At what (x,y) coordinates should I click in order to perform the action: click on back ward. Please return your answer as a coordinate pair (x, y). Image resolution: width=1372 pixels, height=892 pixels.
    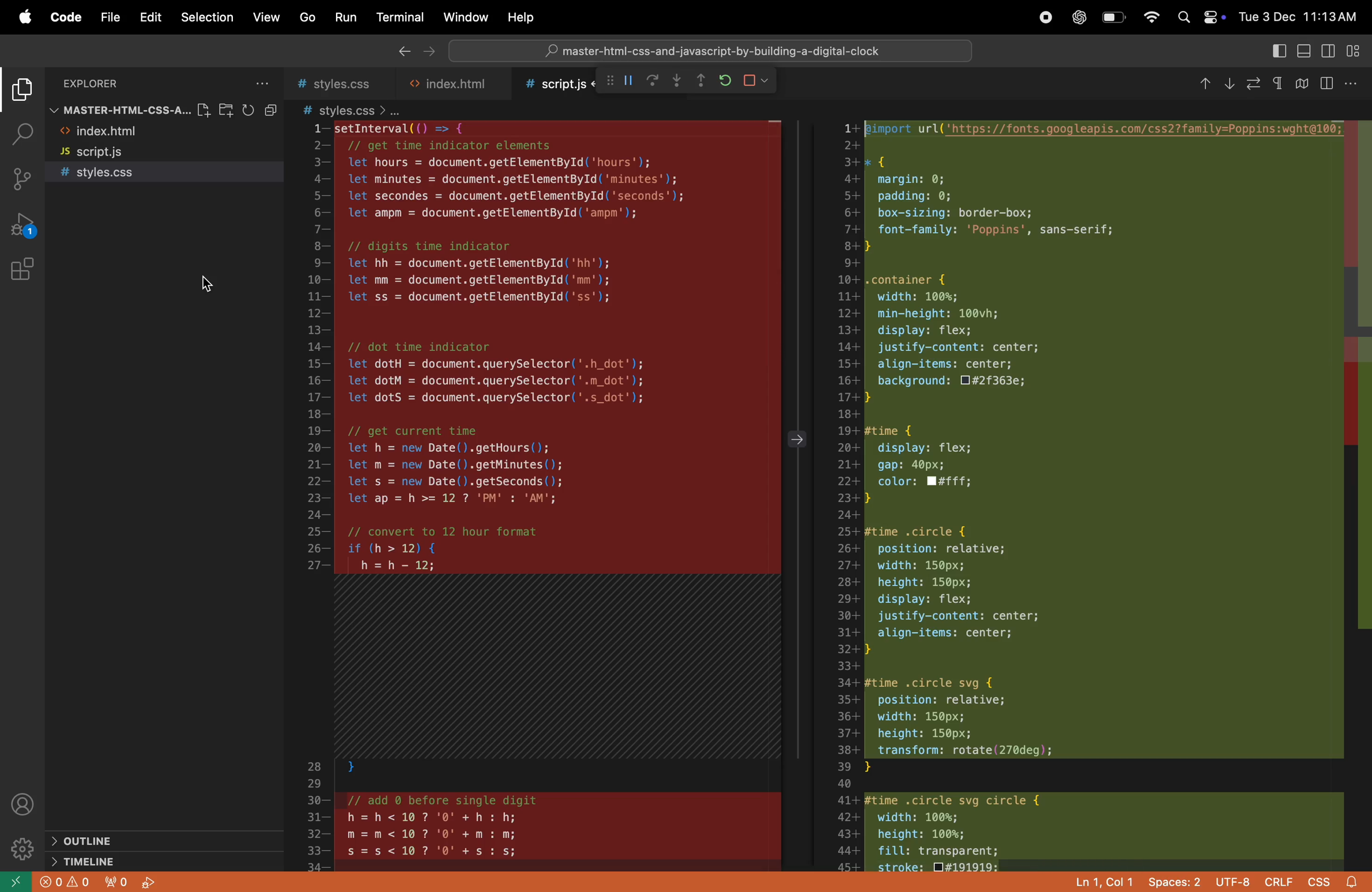
    Looking at the image, I should click on (399, 52).